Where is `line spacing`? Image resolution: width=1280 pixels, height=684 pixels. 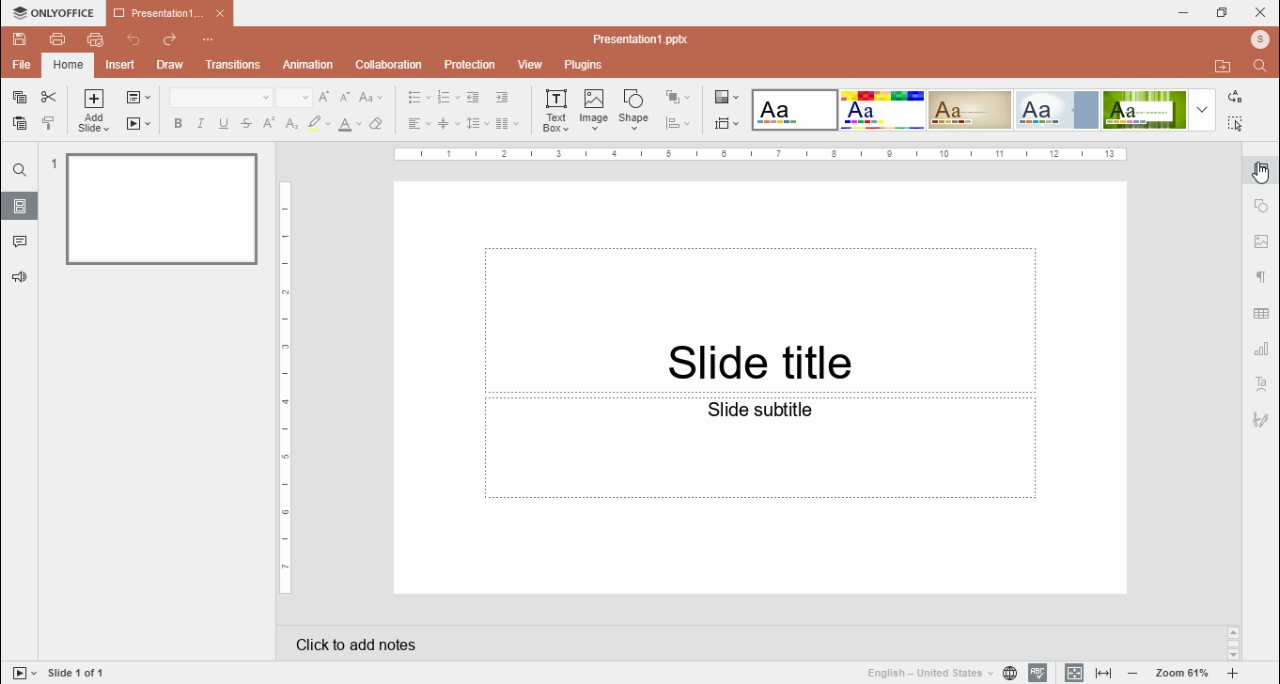
line spacing is located at coordinates (477, 124).